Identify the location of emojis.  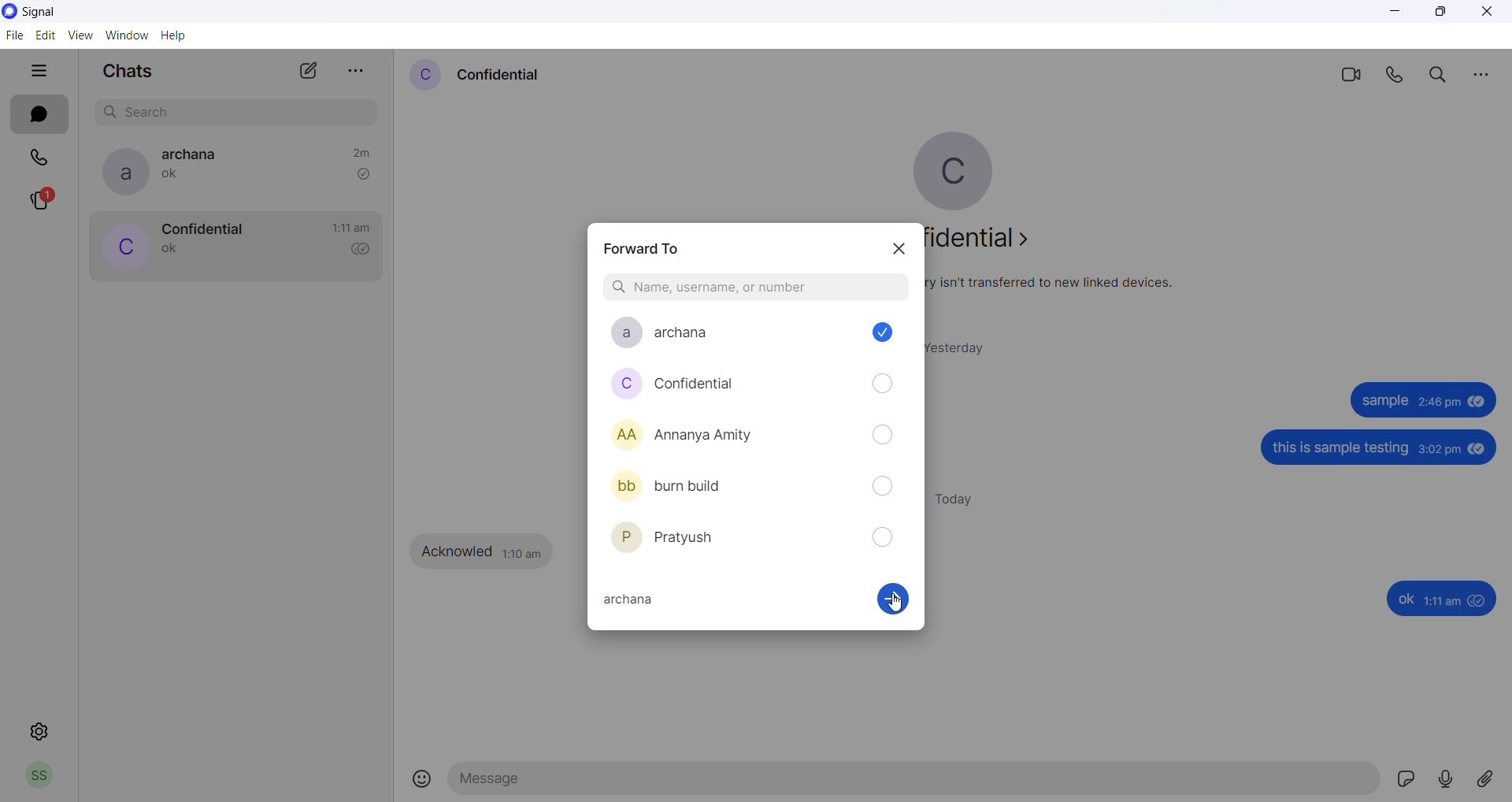
(423, 780).